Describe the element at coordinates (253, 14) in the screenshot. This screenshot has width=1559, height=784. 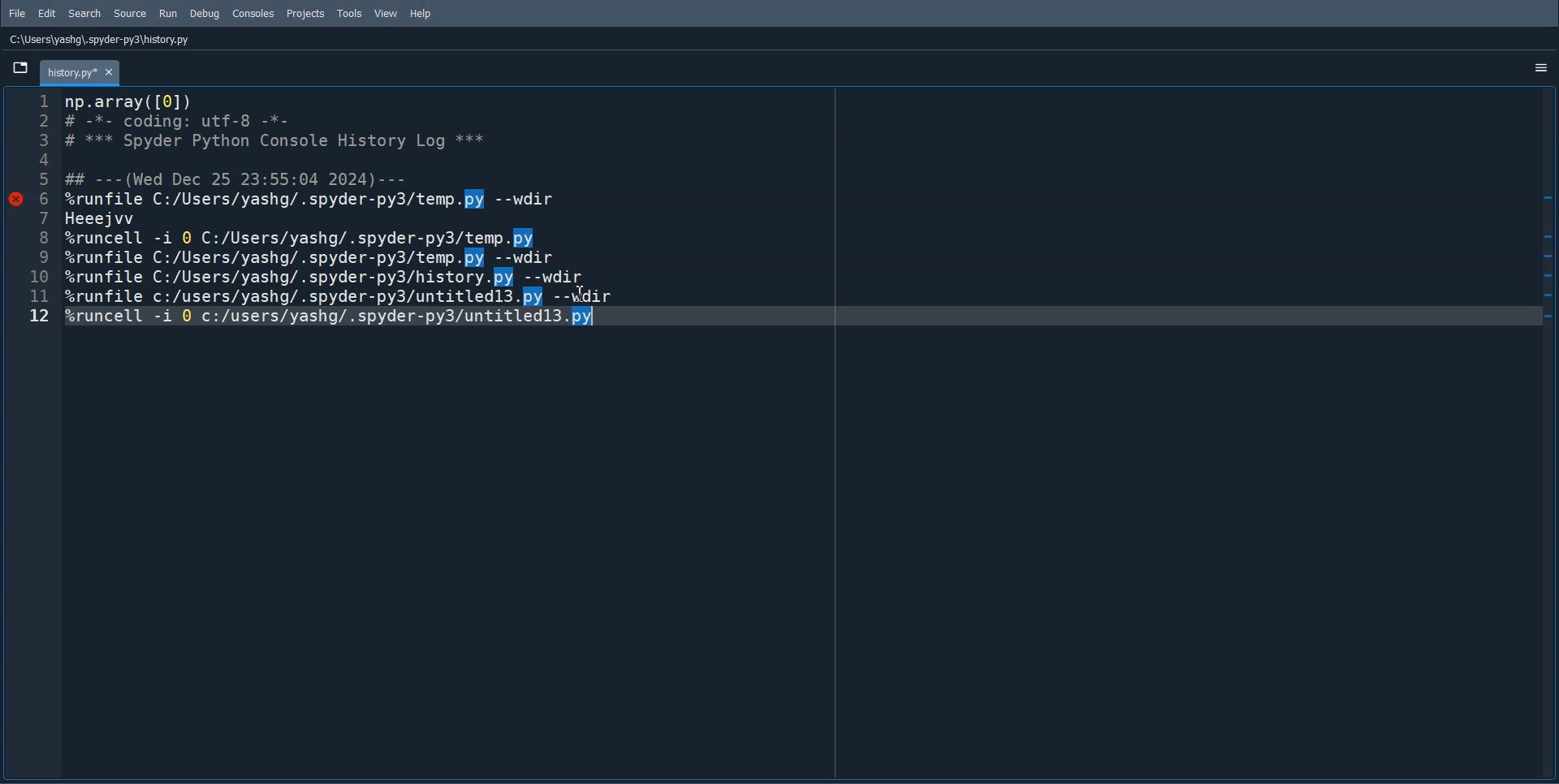
I see `Consoles` at that location.